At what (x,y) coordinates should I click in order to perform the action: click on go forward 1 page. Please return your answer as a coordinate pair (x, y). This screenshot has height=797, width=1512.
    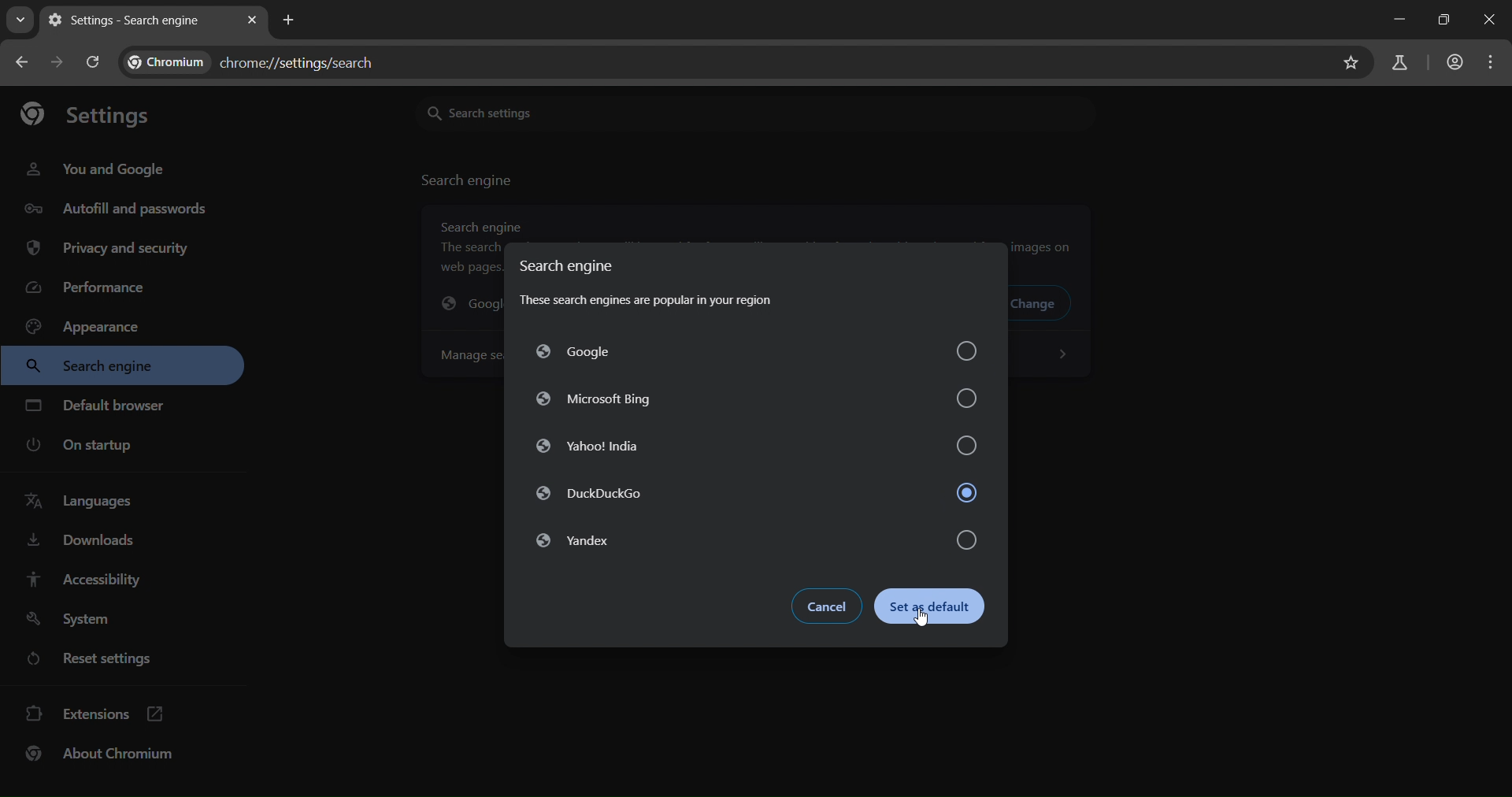
    Looking at the image, I should click on (57, 61).